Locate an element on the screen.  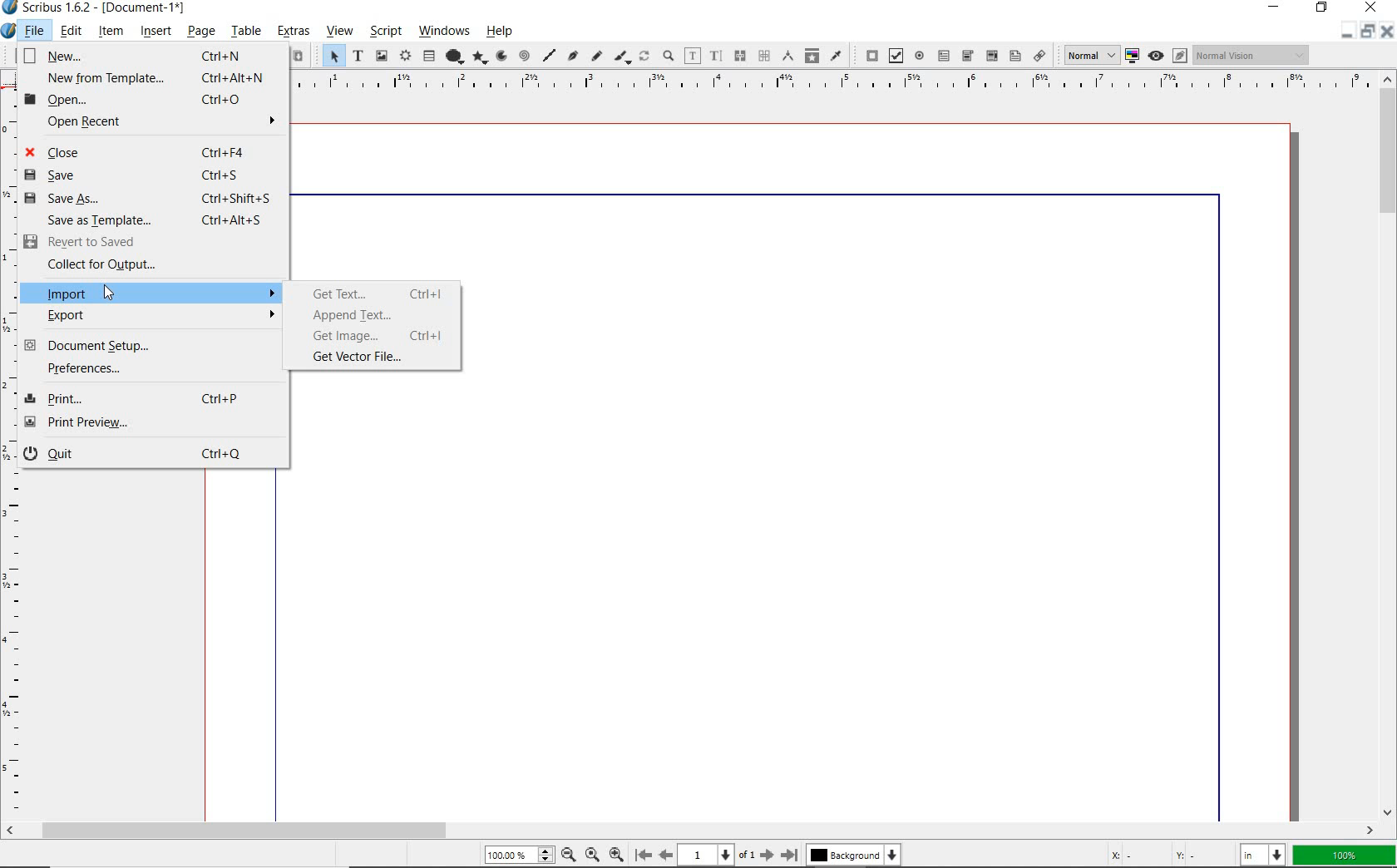
file is located at coordinates (37, 30).